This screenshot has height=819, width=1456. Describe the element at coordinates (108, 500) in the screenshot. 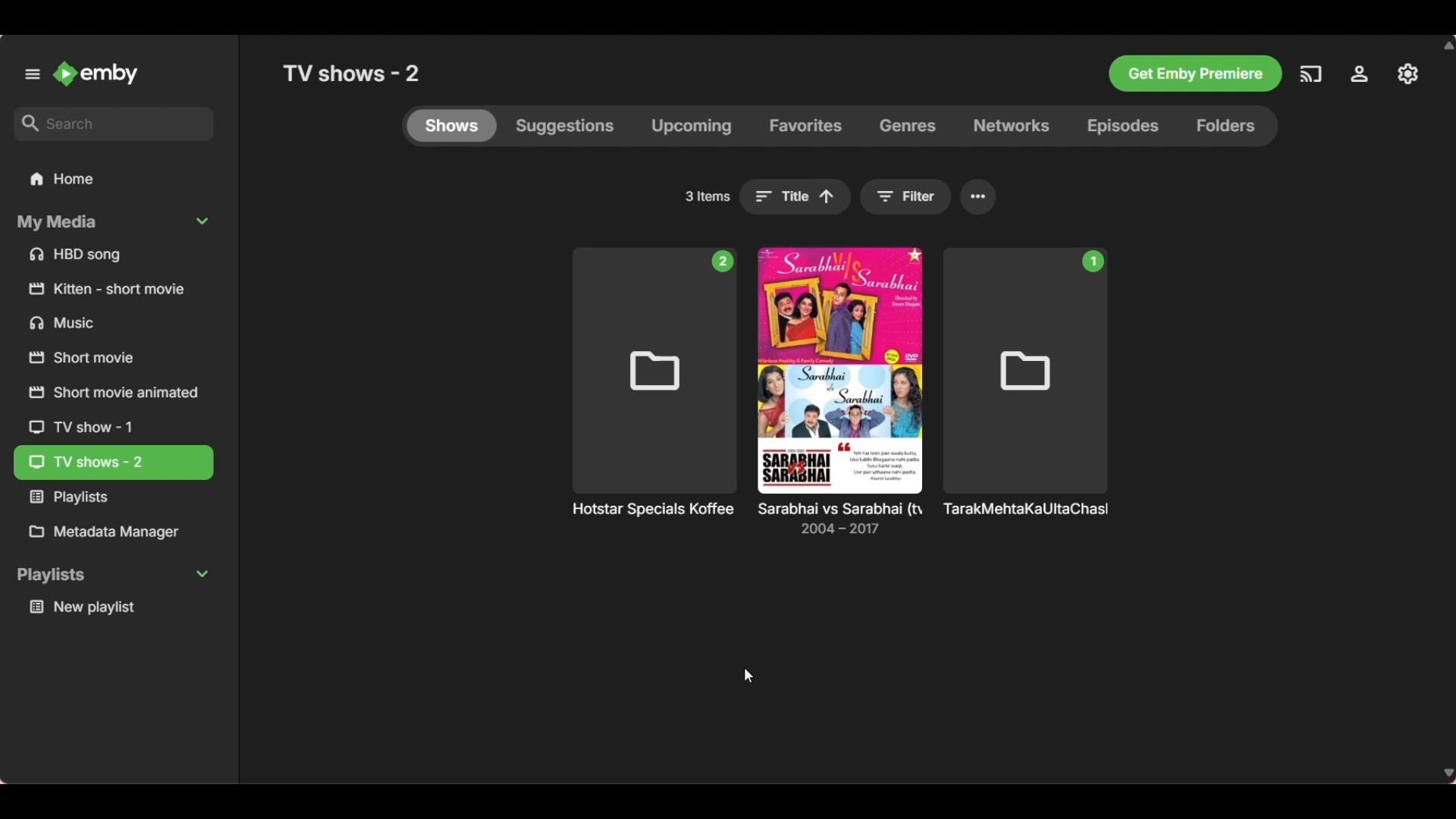

I see `` at that location.